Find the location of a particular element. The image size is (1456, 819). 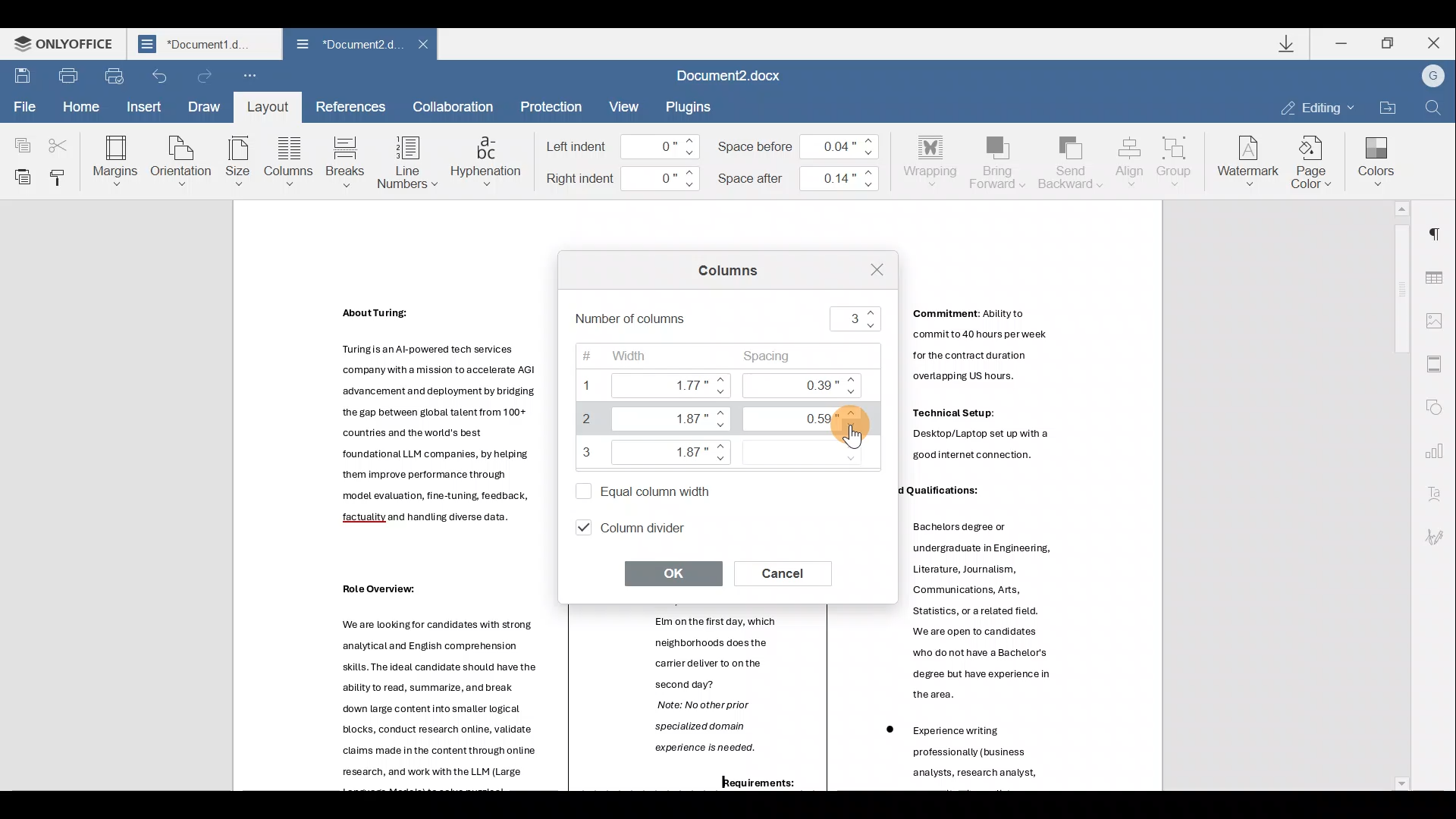

Downloads is located at coordinates (1288, 45).